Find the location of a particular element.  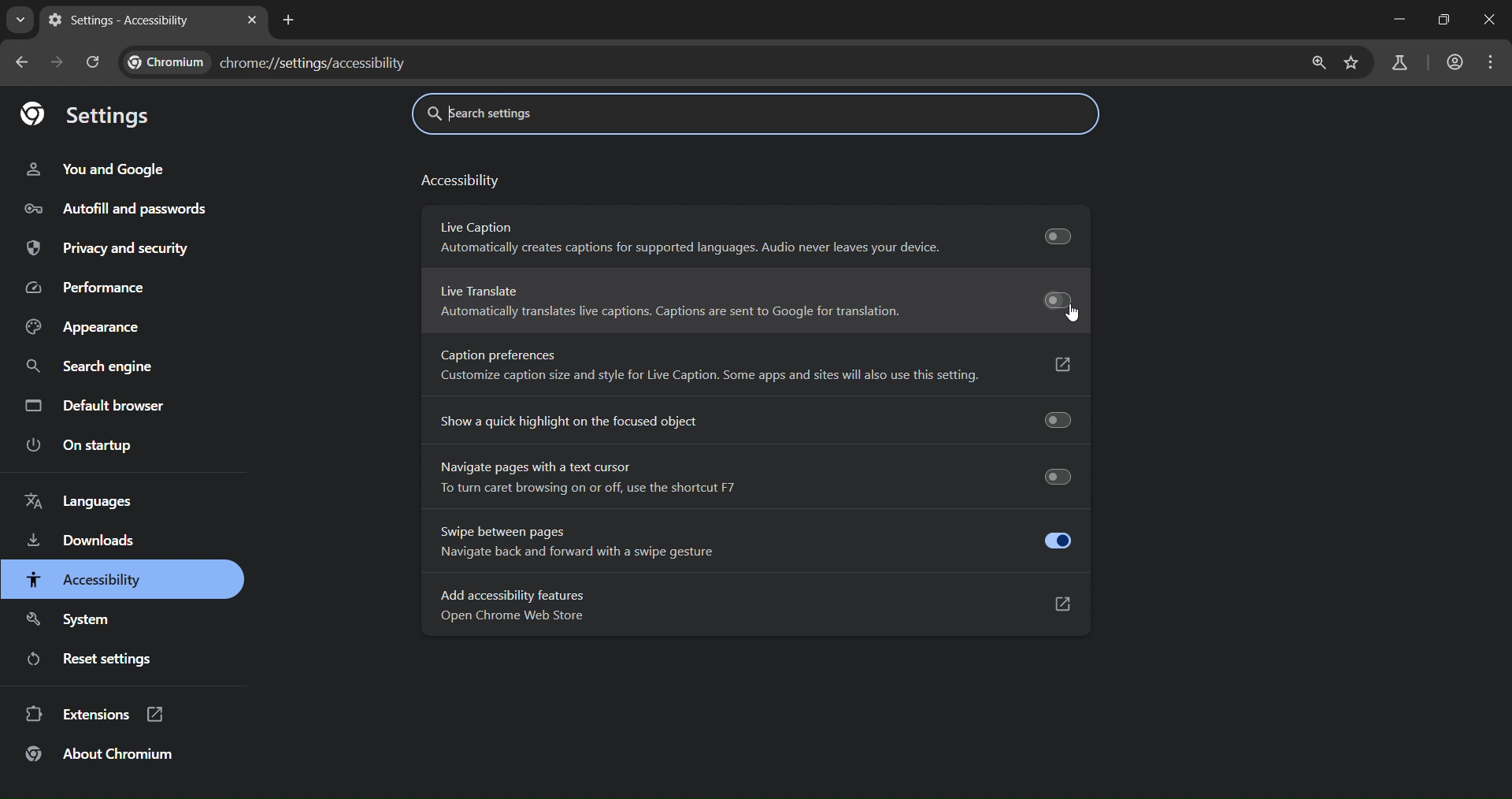

reload page is located at coordinates (94, 61).